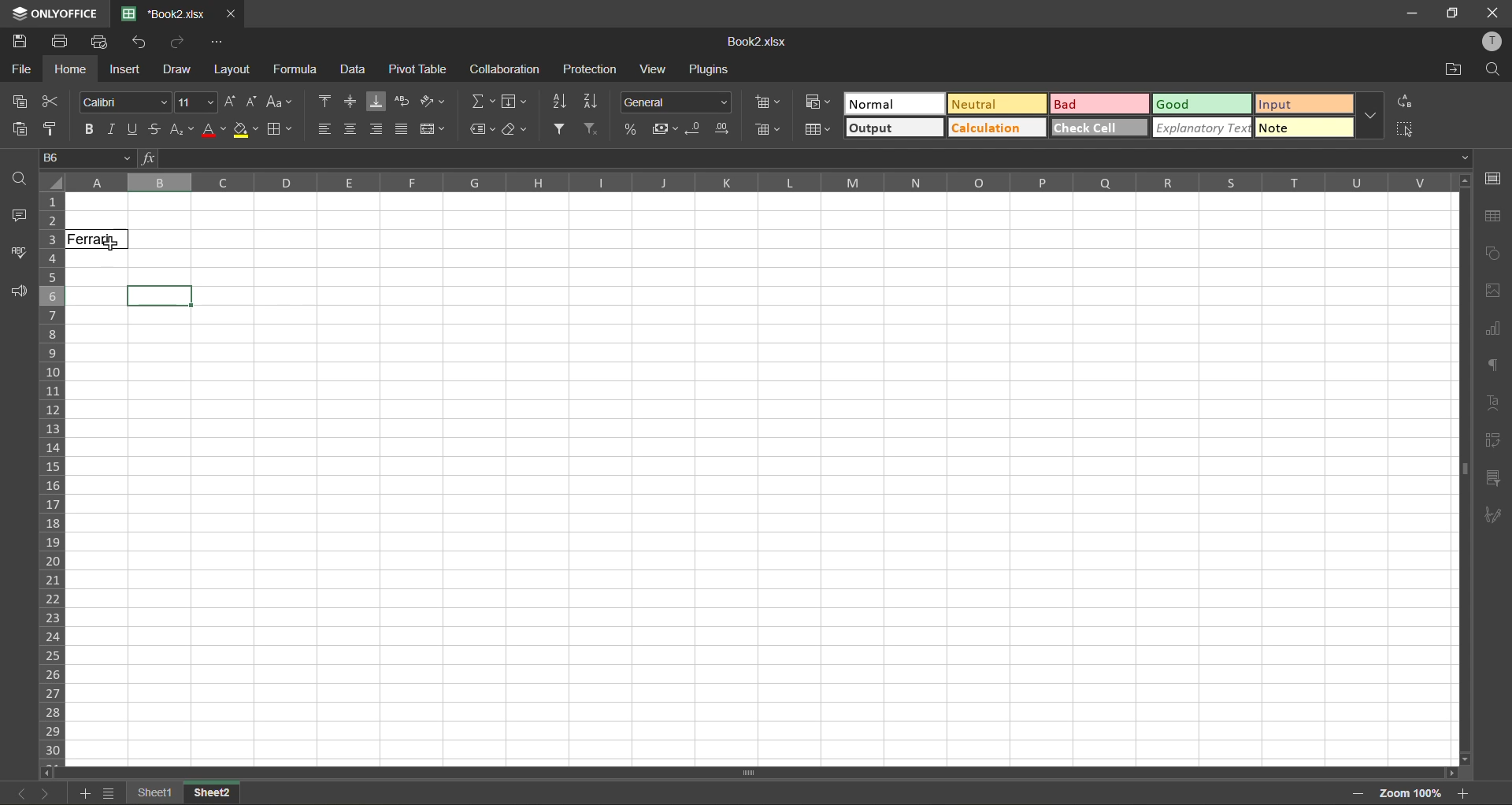  What do you see at coordinates (517, 133) in the screenshot?
I see `clear` at bounding box center [517, 133].